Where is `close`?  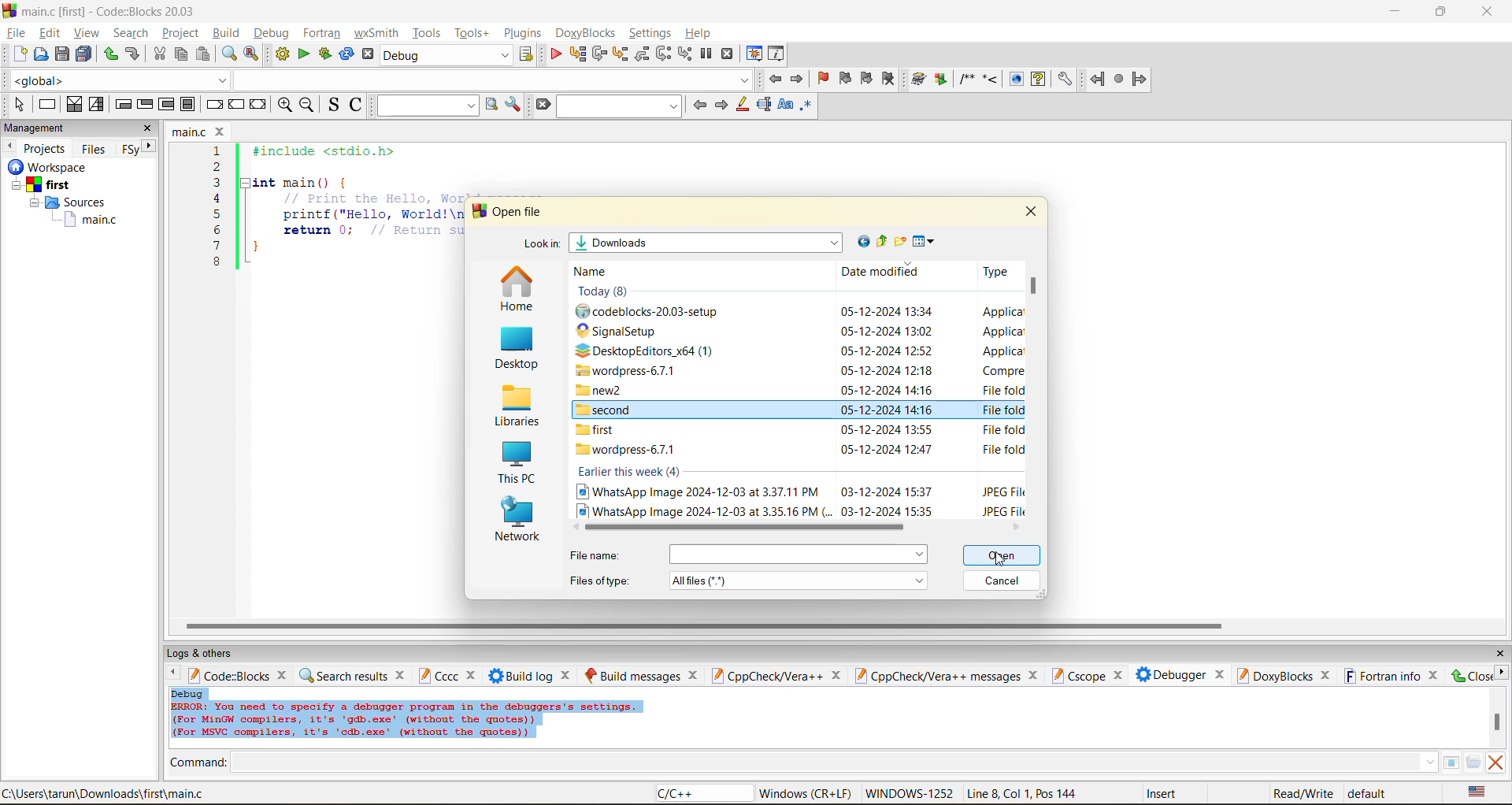
close is located at coordinates (402, 674).